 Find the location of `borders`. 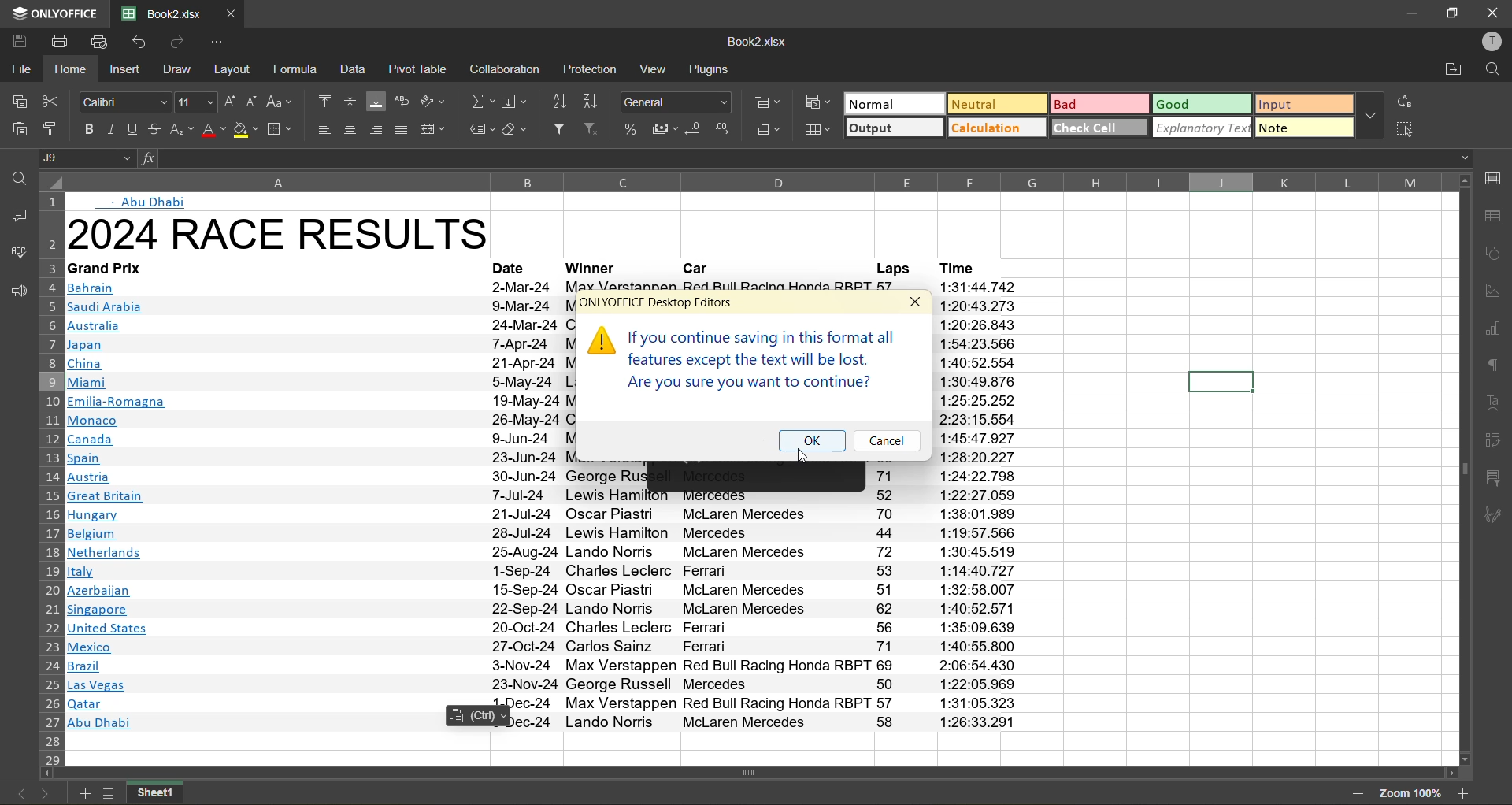

borders is located at coordinates (283, 127).